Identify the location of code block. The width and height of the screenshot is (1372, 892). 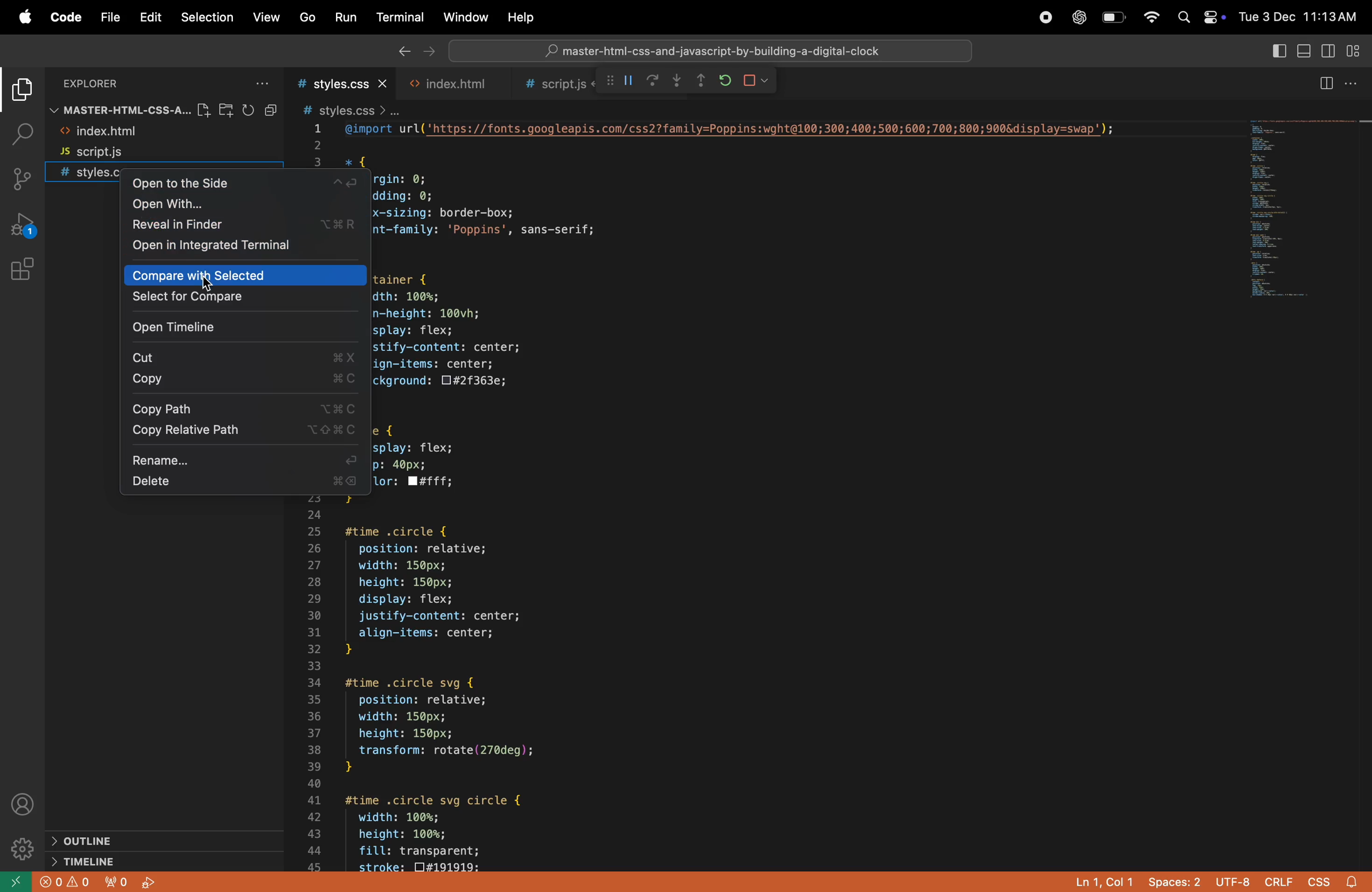
(791, 497).